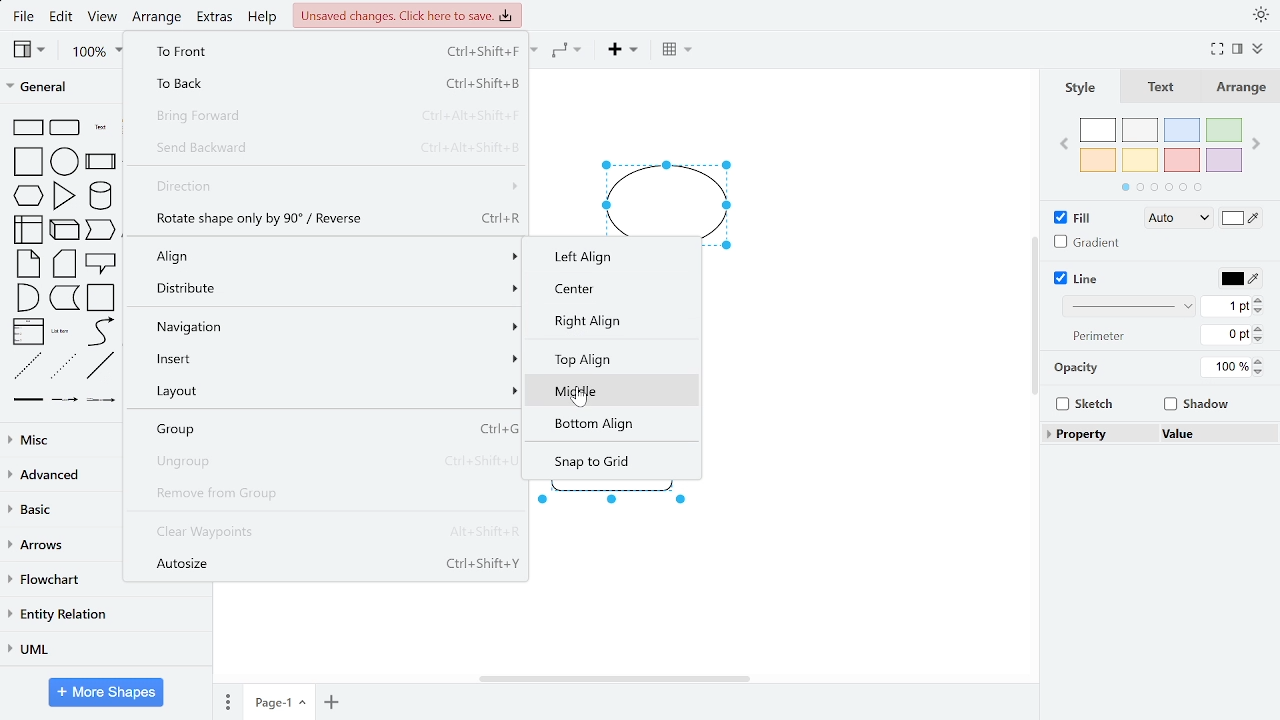 The width and height of the screenshot is (1280, 720). I want to click on unsaved changes. Click here to save, so click(407, 15).